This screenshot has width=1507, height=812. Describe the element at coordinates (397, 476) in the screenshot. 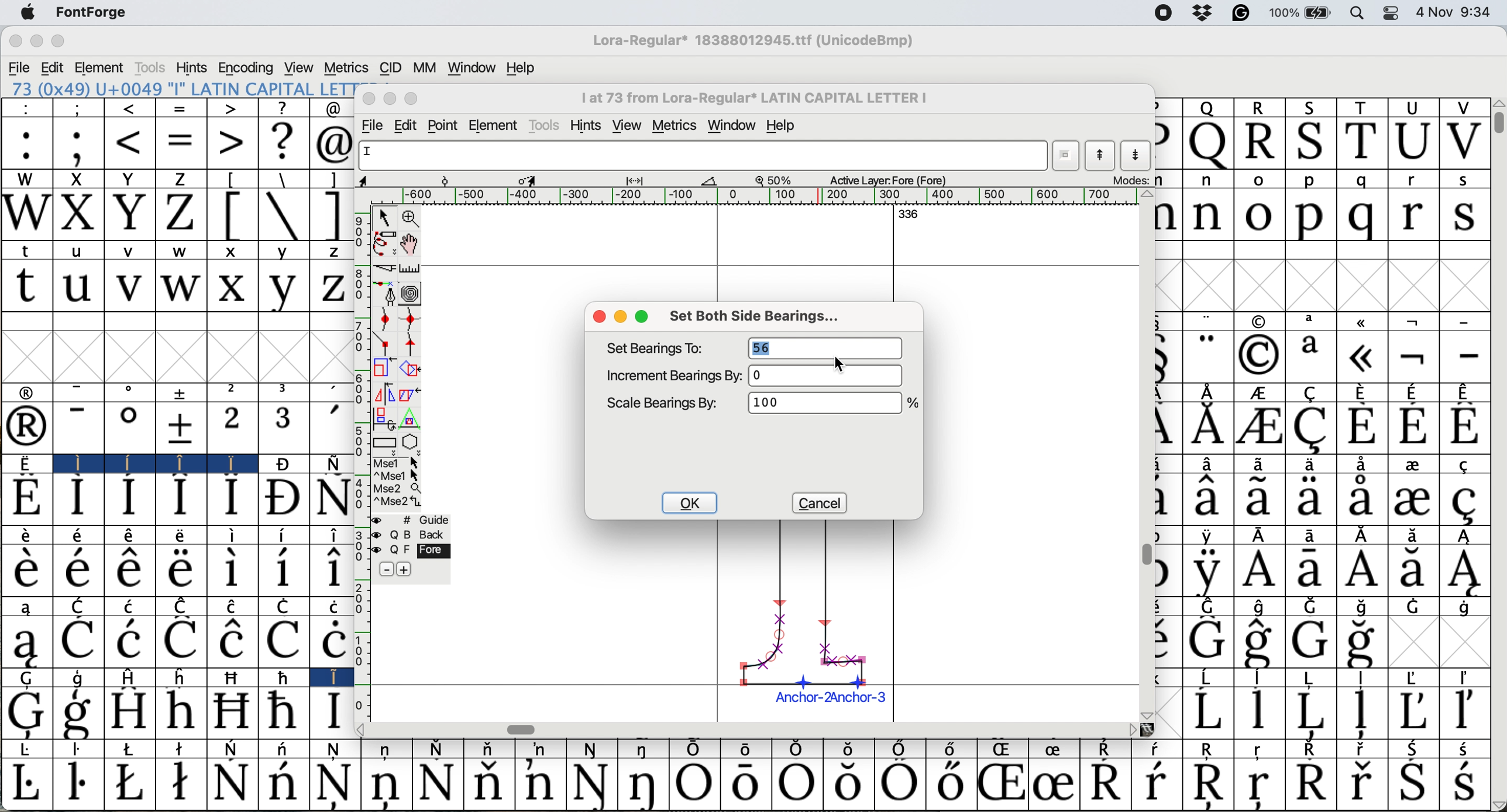

I see `^ Mse 1` at that location.